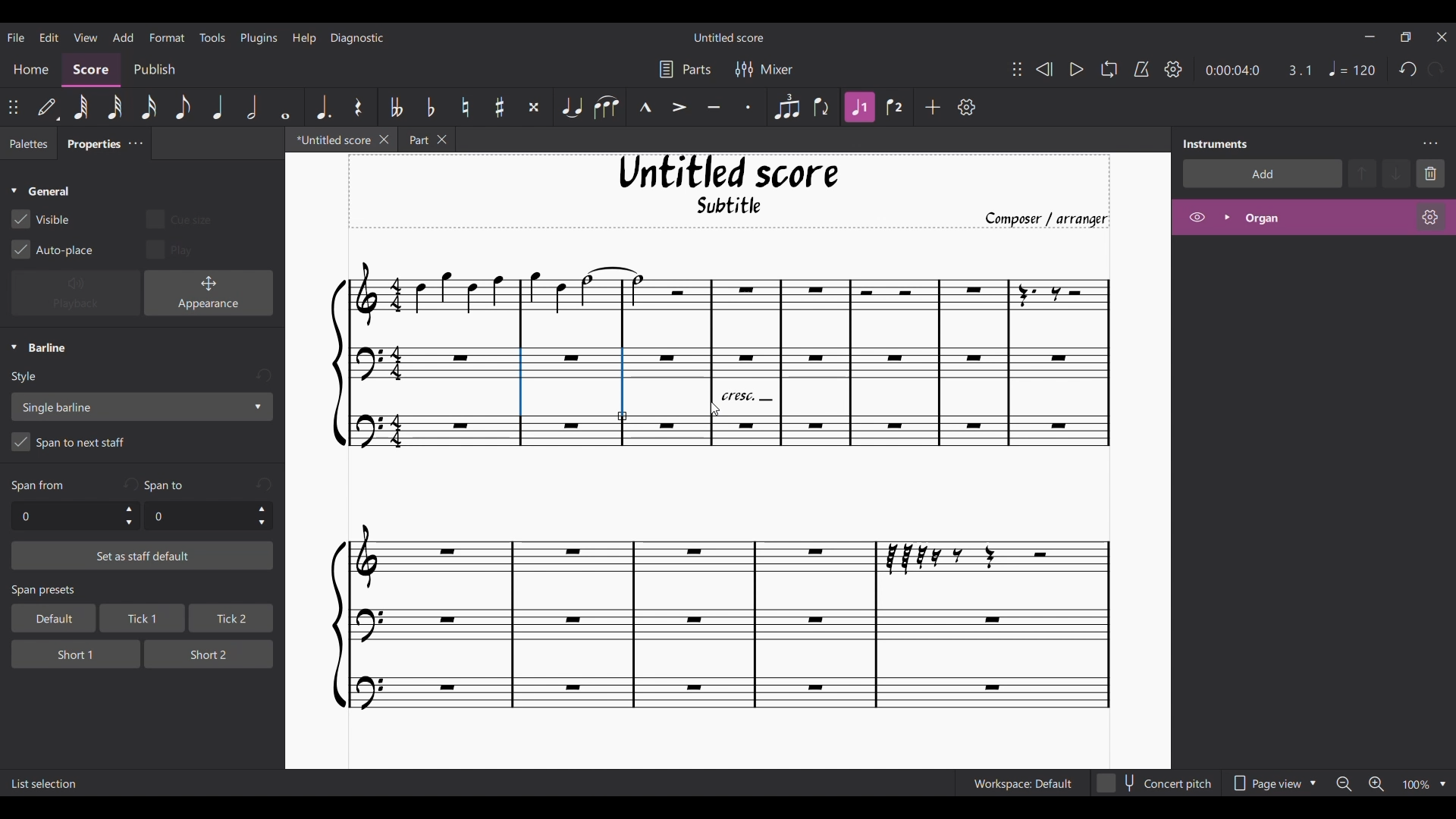 Image resolution: width=1456 pixels, height=819 pixels. Describe the element at coordinates (686, 69) in the screenshot. I see `Parts settings` at that location.